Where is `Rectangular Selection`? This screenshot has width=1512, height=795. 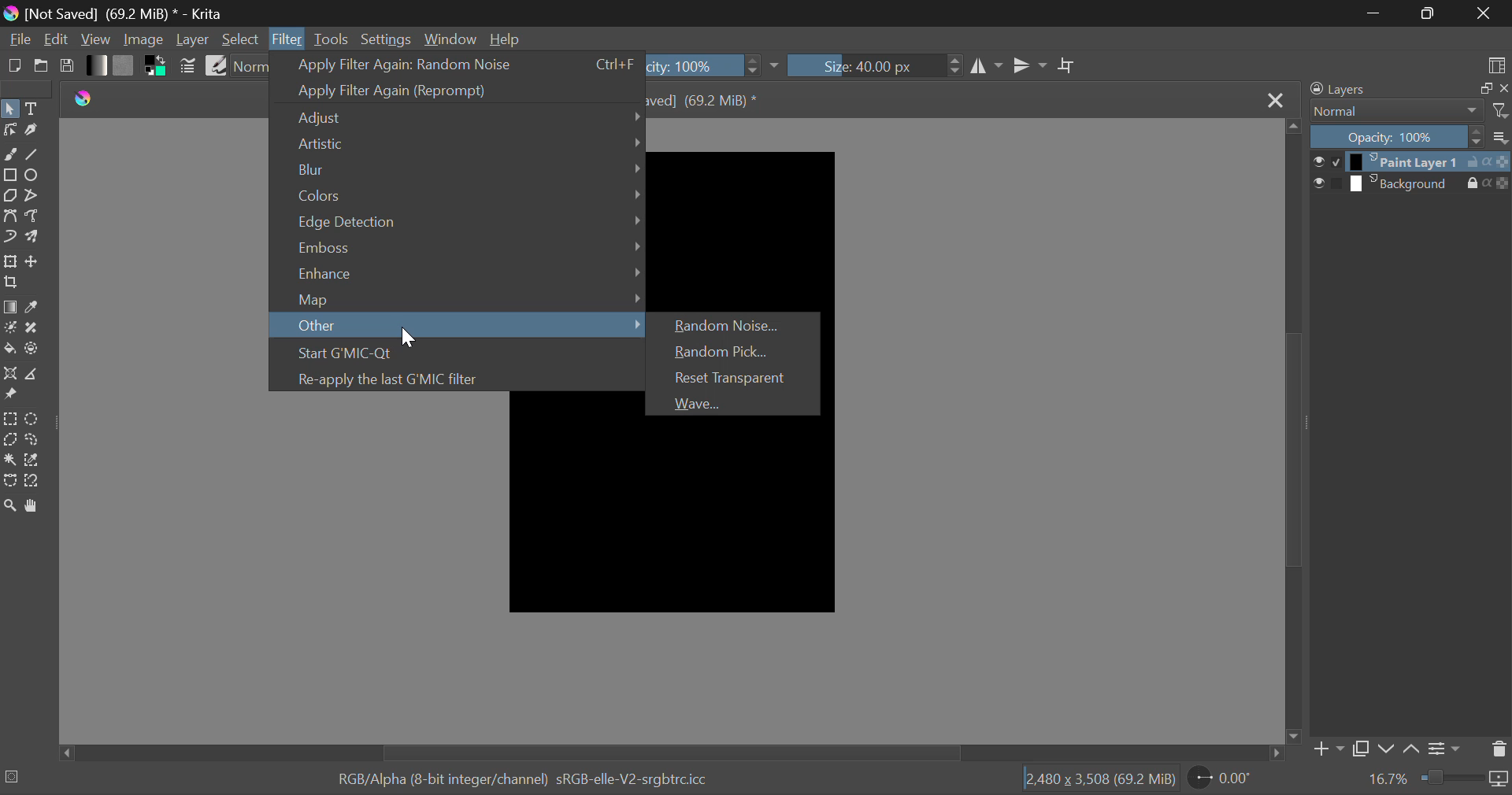
Rectangular Selection is located at coordinates (10, 418).